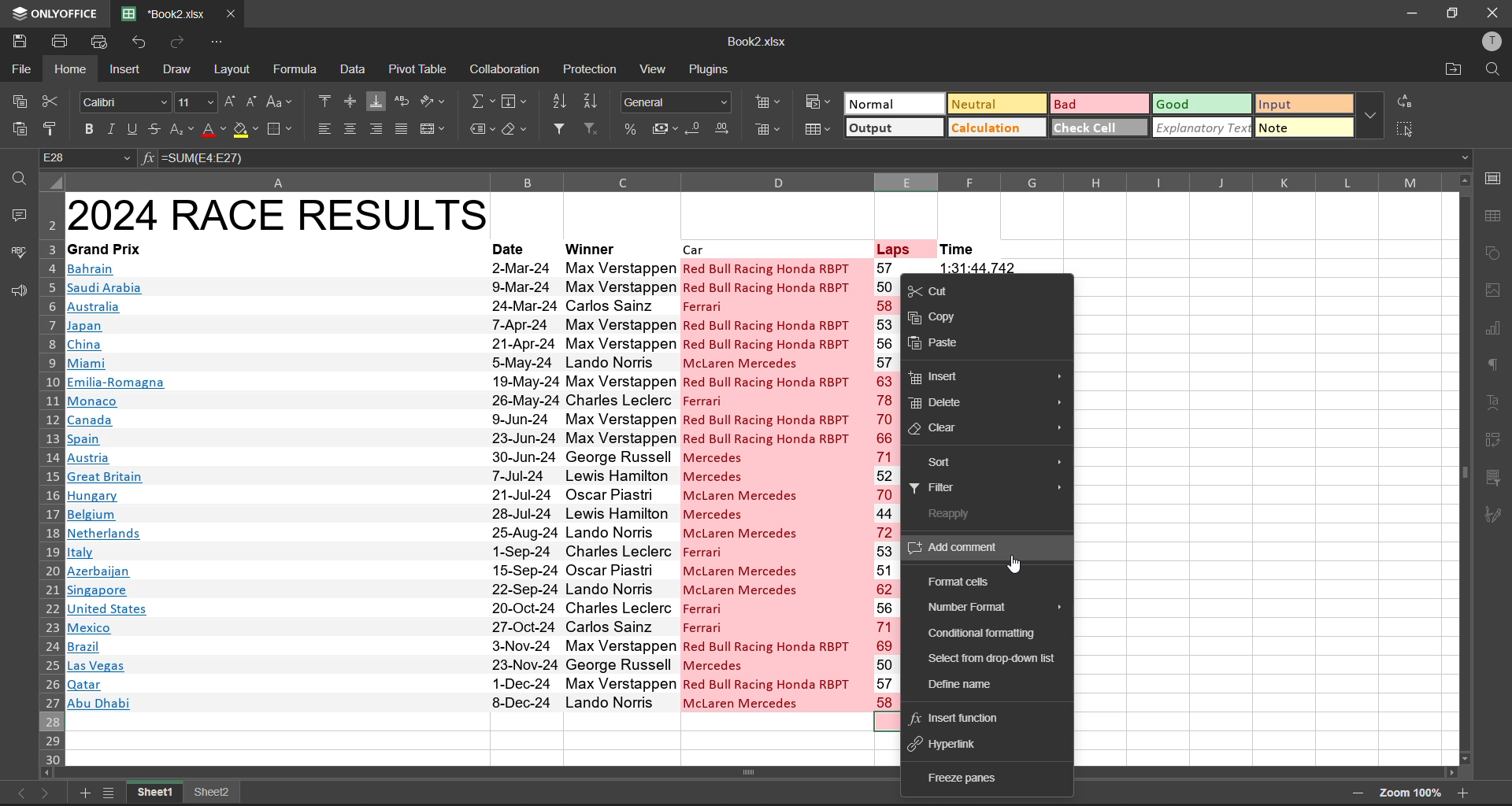  I want to click on font style, so click(124, 103).